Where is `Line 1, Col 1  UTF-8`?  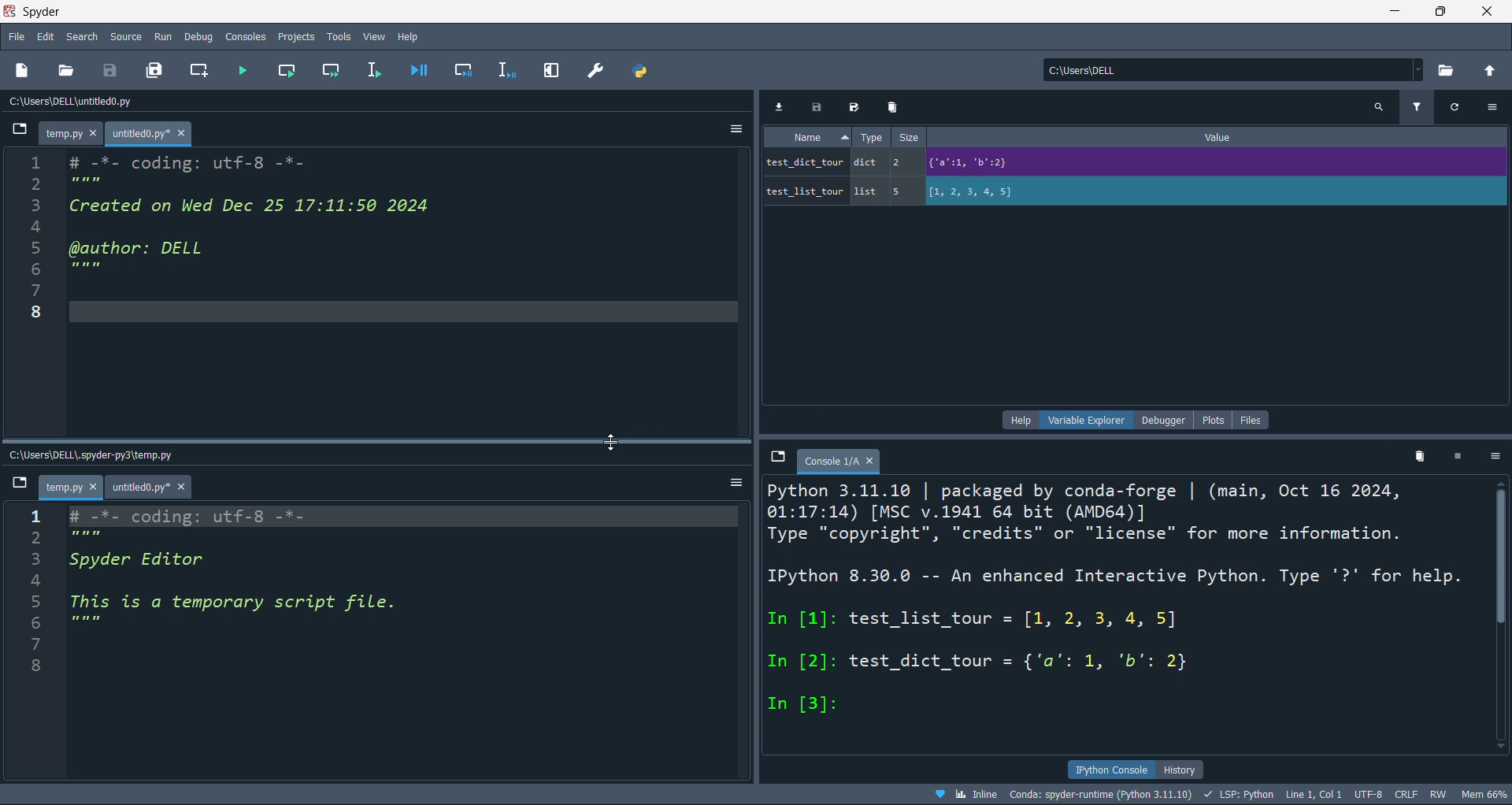 Line 1, Col 1  UTF-8 is located at coordinates (1336, 794).